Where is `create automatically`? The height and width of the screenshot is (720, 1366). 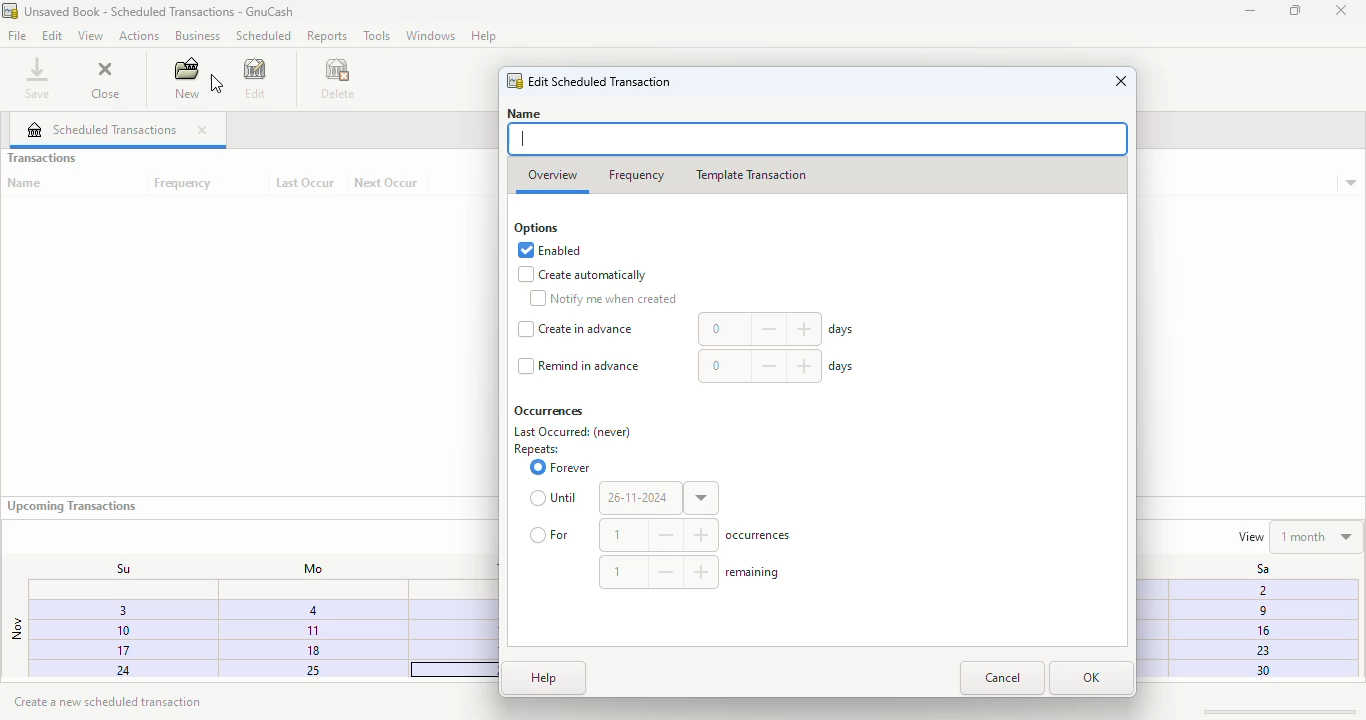
create automatically is located at coordinates (583, 275).